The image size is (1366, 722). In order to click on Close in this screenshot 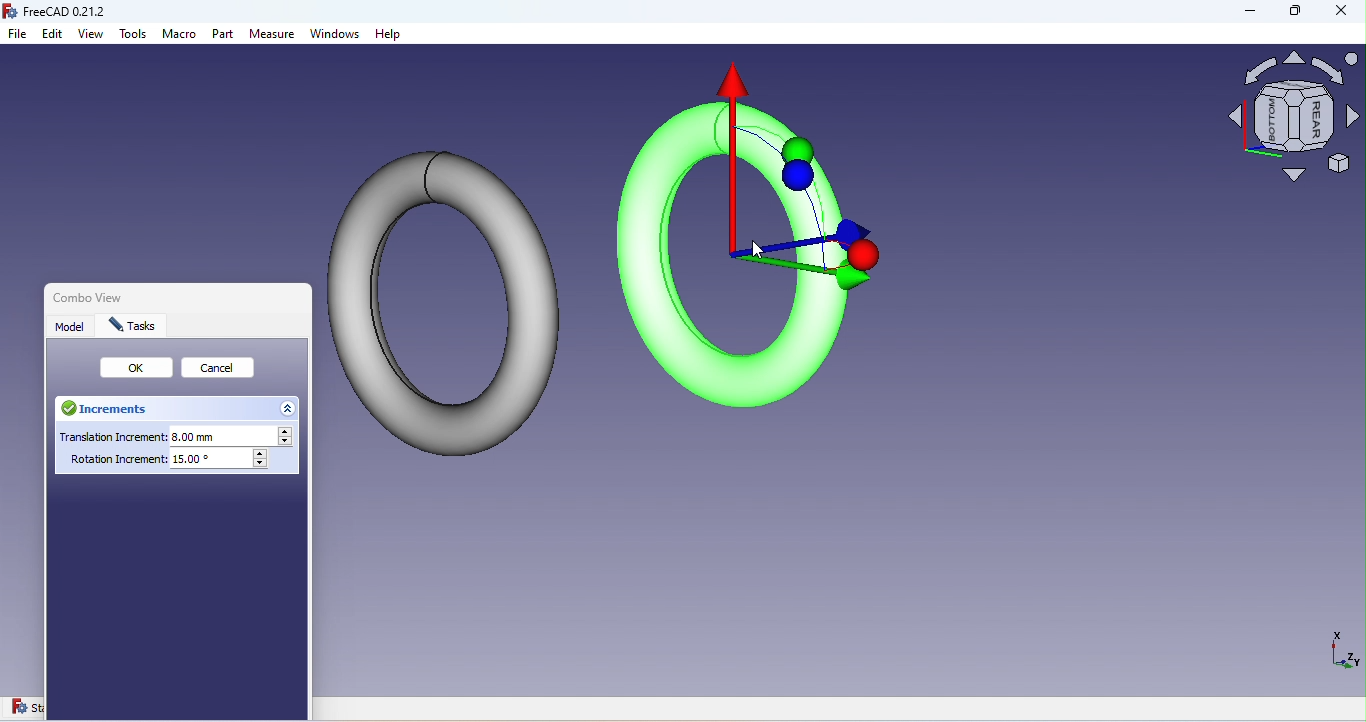, I will do `click(304, 301)`.